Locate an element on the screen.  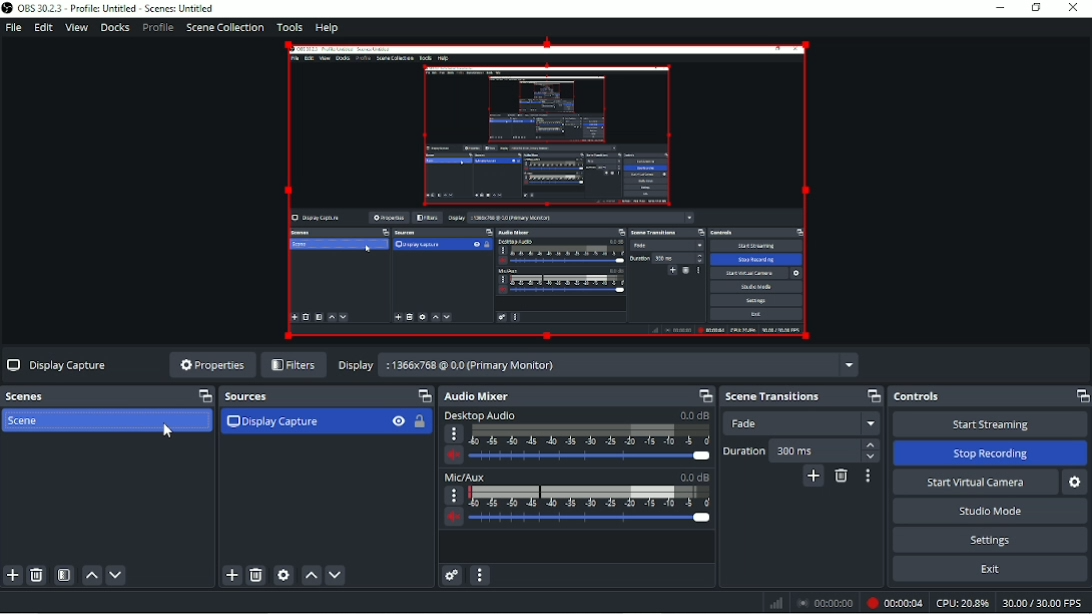
Move scene up is located at coordinates (92, 576).